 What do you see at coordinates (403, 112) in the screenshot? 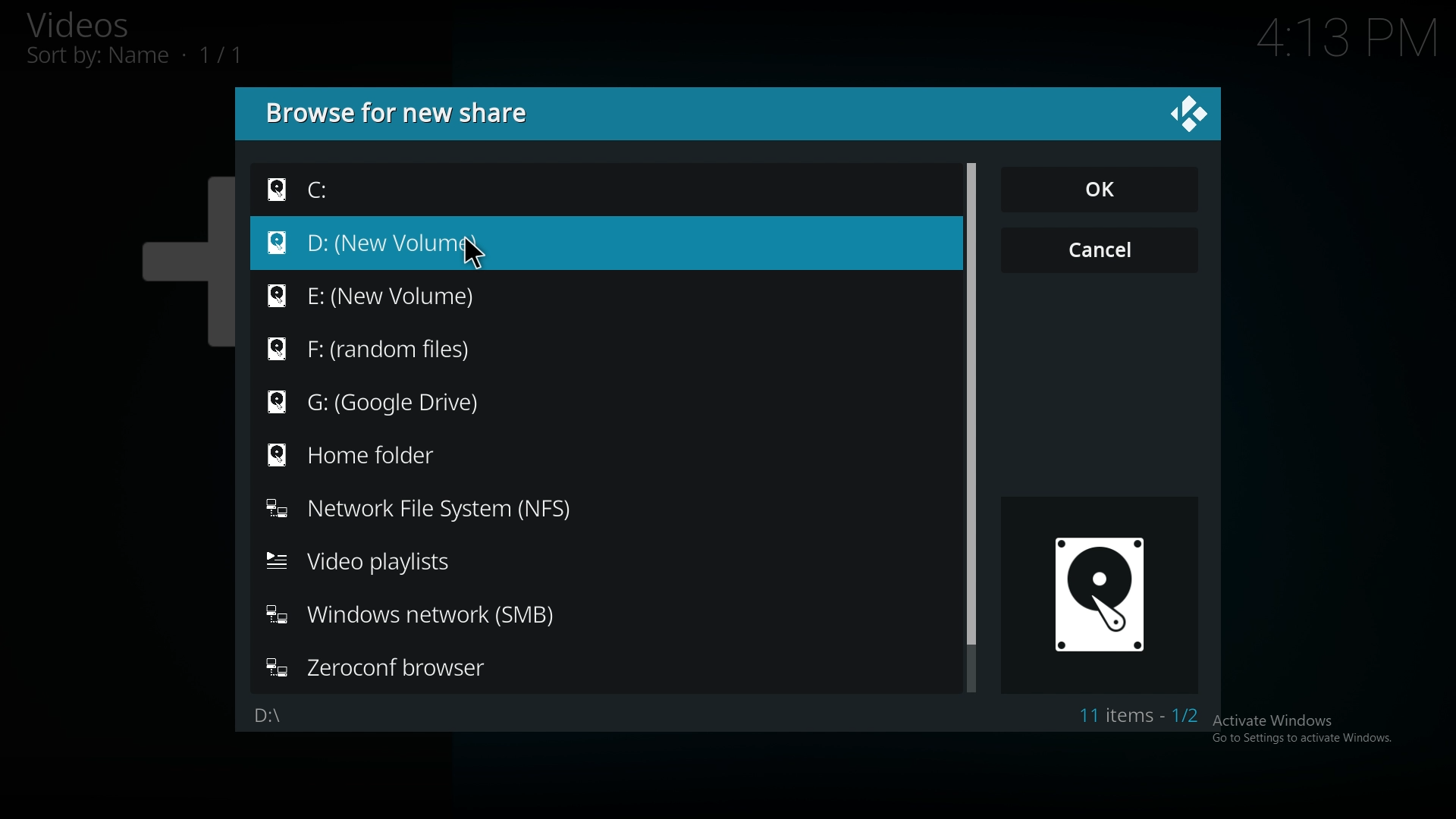
I see `browse` at bounding box center [403, 112].